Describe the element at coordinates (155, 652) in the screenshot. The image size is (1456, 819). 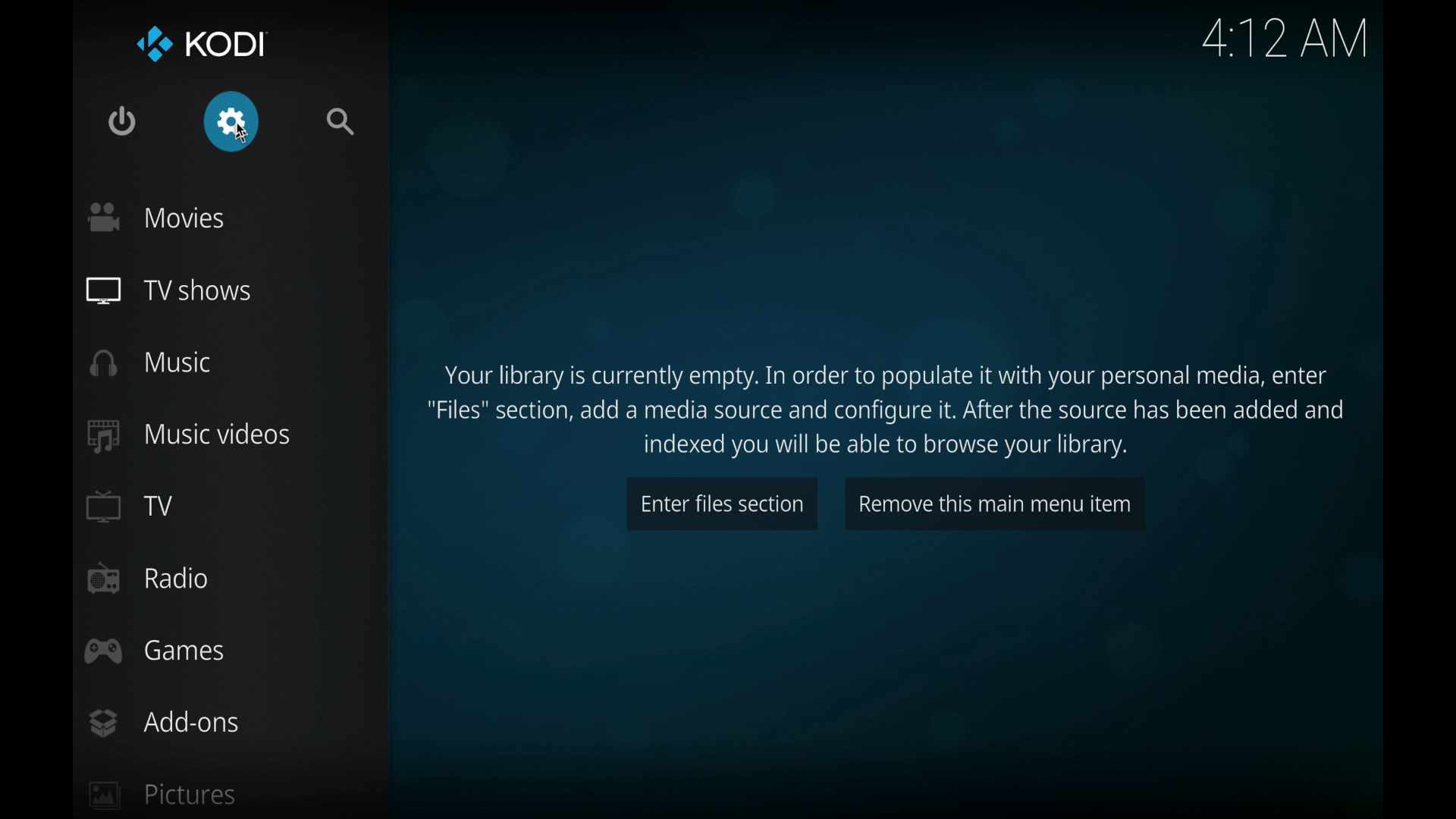
I see `games` at that location.